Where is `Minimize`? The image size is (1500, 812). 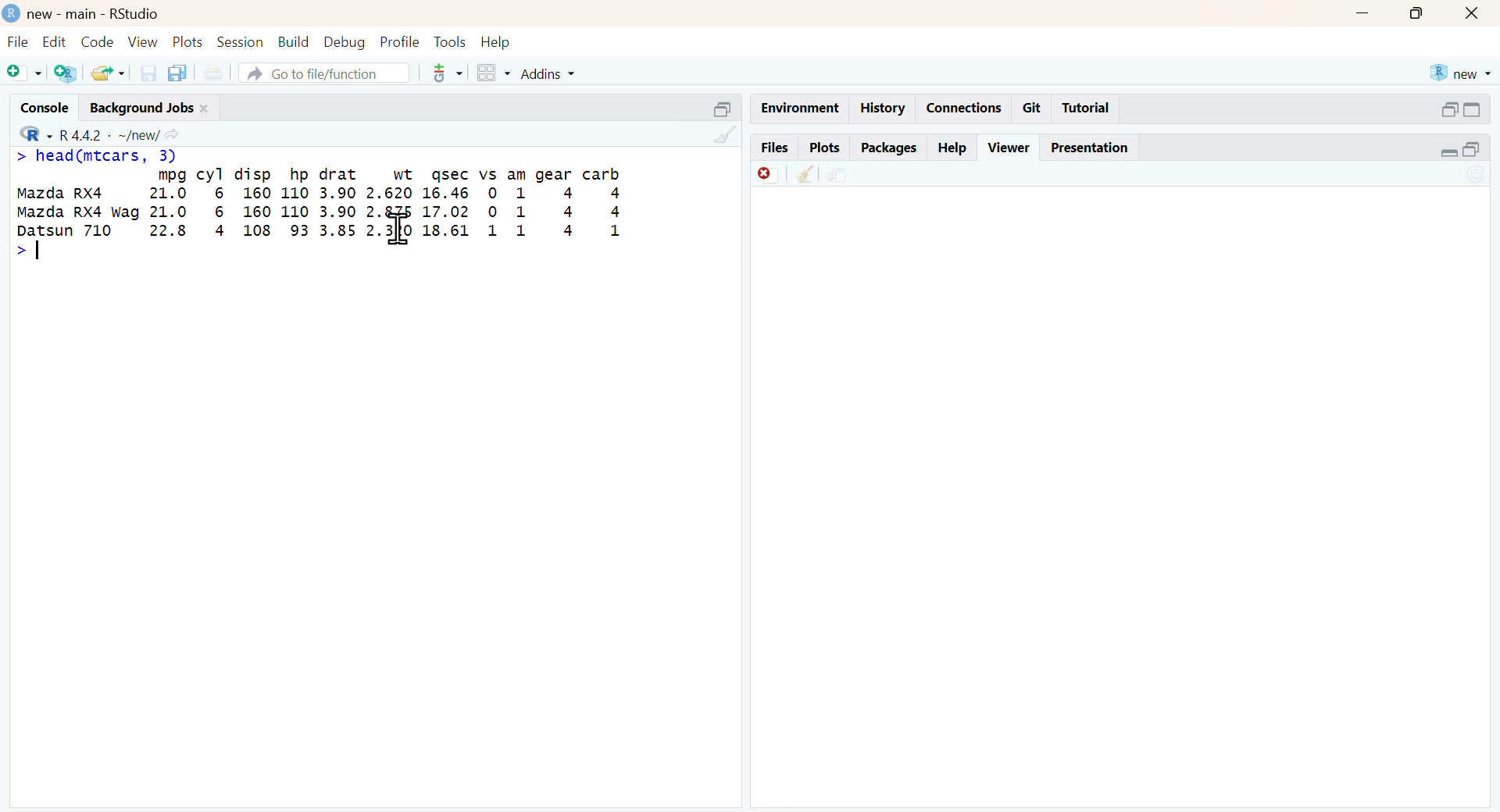
Minimize is located at coordinates (712, 107).